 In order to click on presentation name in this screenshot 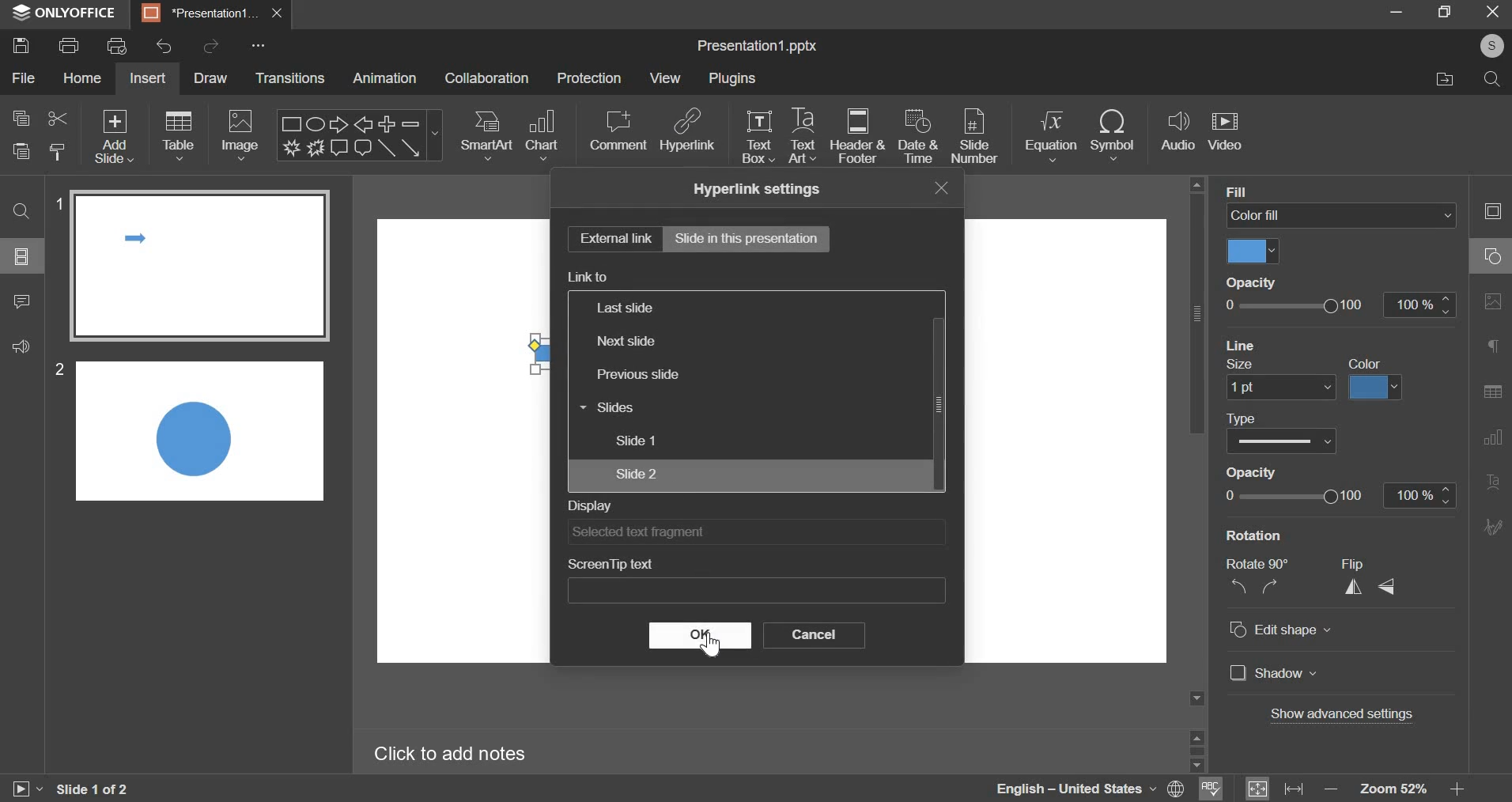, I will do `click(759, 46)`.